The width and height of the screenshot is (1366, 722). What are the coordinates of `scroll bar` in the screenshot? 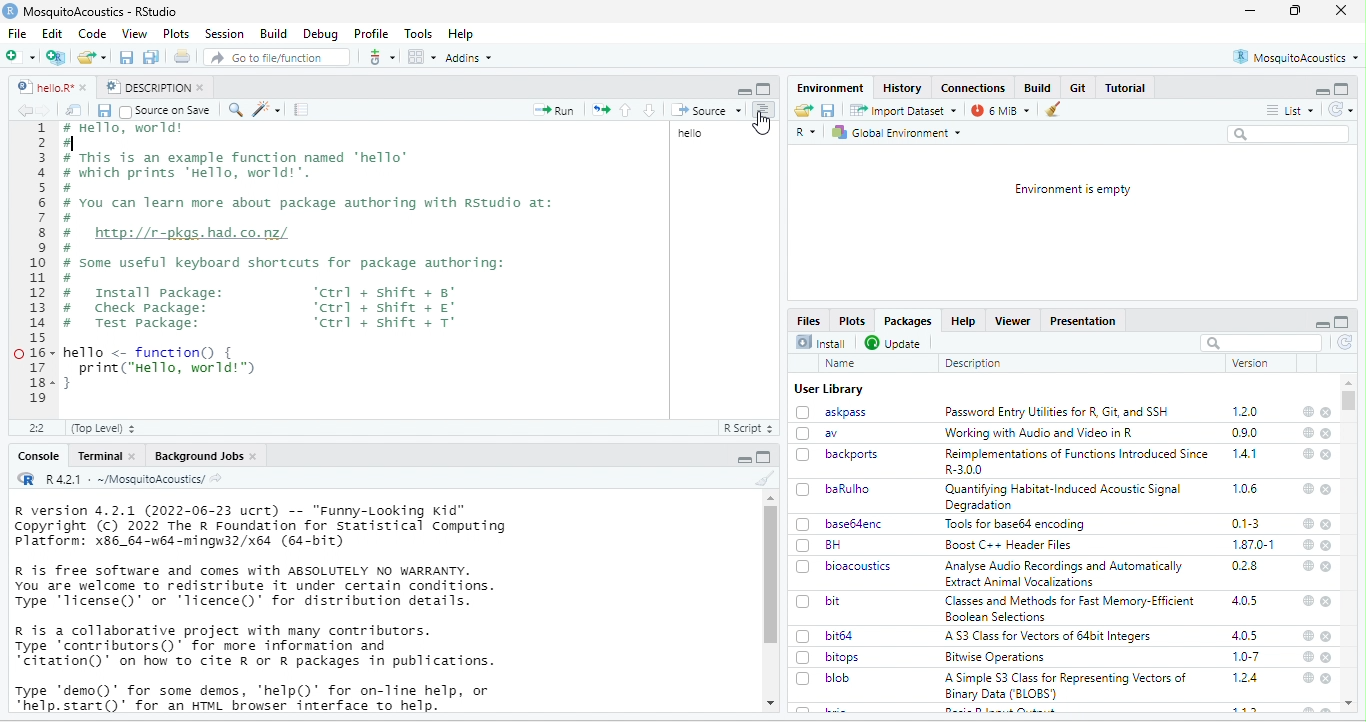 It's located at (772, 575).